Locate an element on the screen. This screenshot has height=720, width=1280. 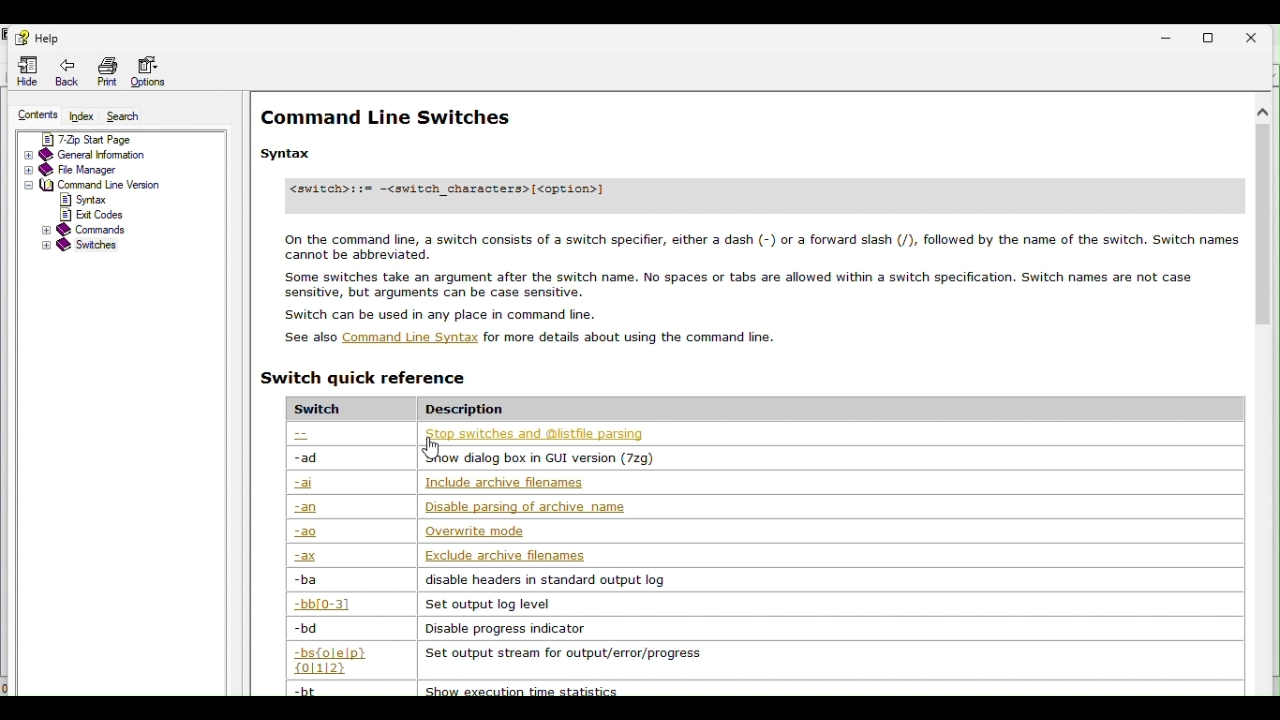
Switches is located at coordinates (81, 247).